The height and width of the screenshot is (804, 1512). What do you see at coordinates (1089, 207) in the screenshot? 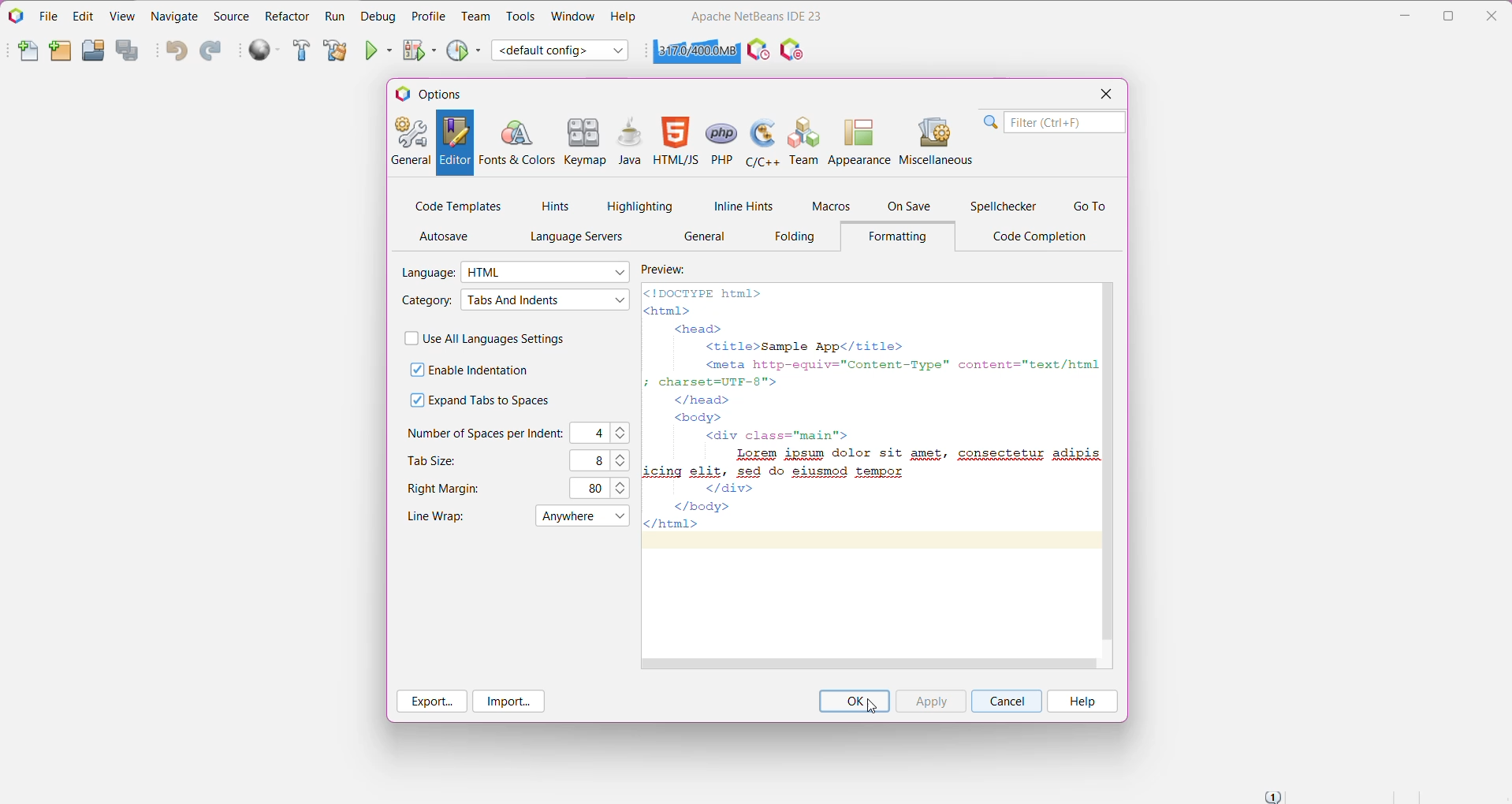
I see `Go To` at bounding box center [1089, 207].